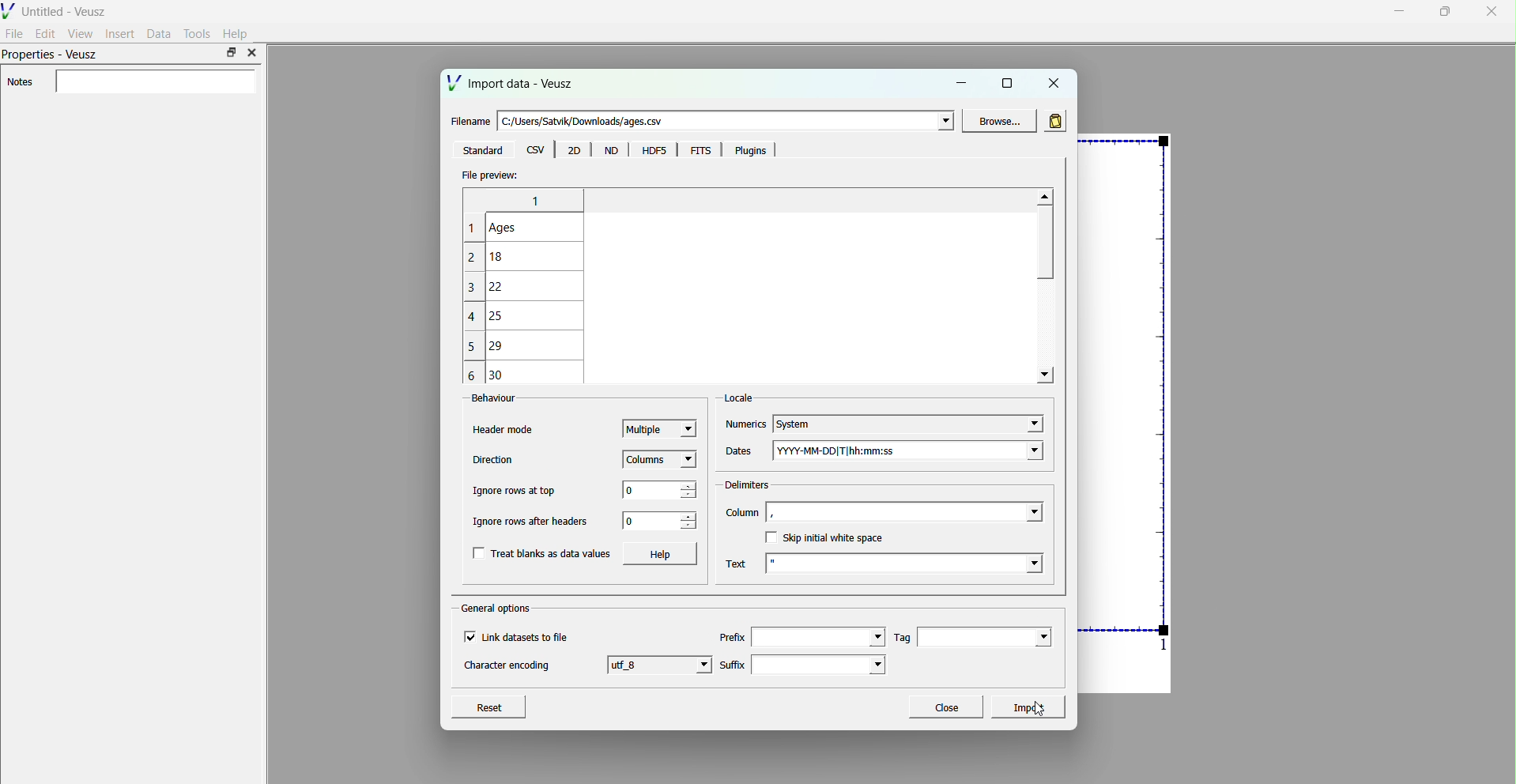  I want to click on scroll bar, so click(1048, 243).